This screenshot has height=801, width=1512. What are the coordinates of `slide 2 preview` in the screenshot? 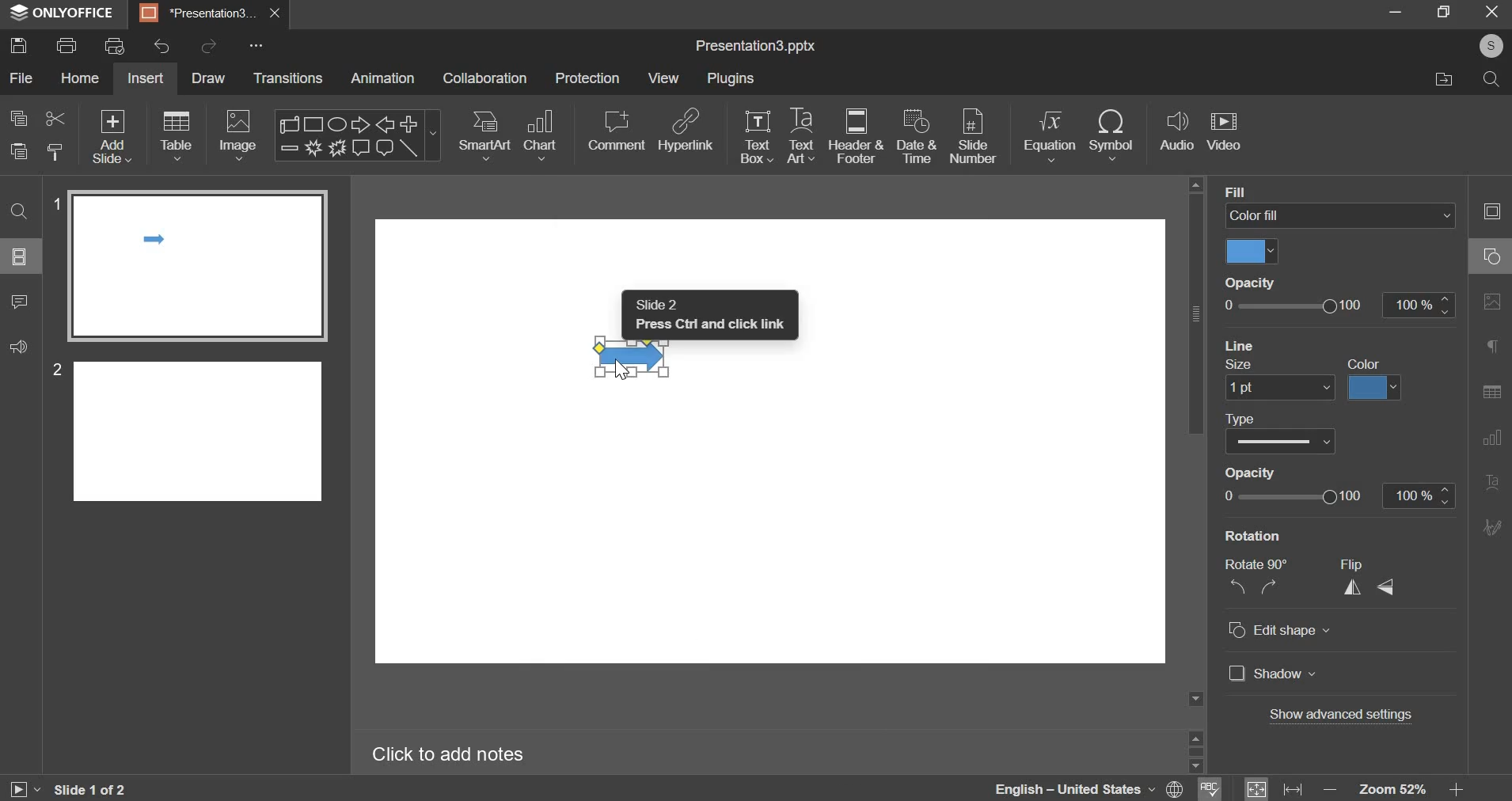 It's located at (199, 429).